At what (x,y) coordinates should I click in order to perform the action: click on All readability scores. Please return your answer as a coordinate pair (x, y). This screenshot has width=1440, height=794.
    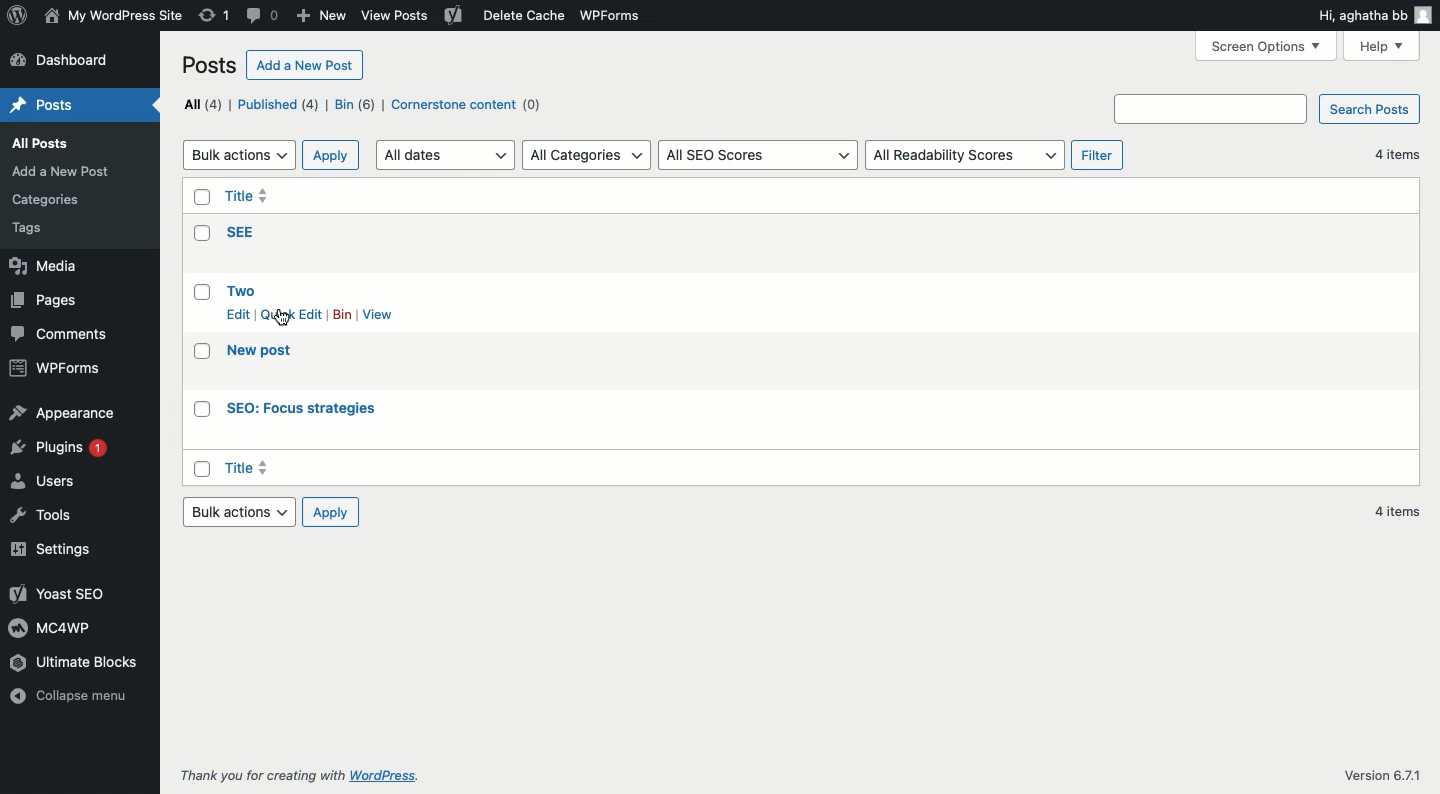
    Looking at the image, I should click on (966, 156).